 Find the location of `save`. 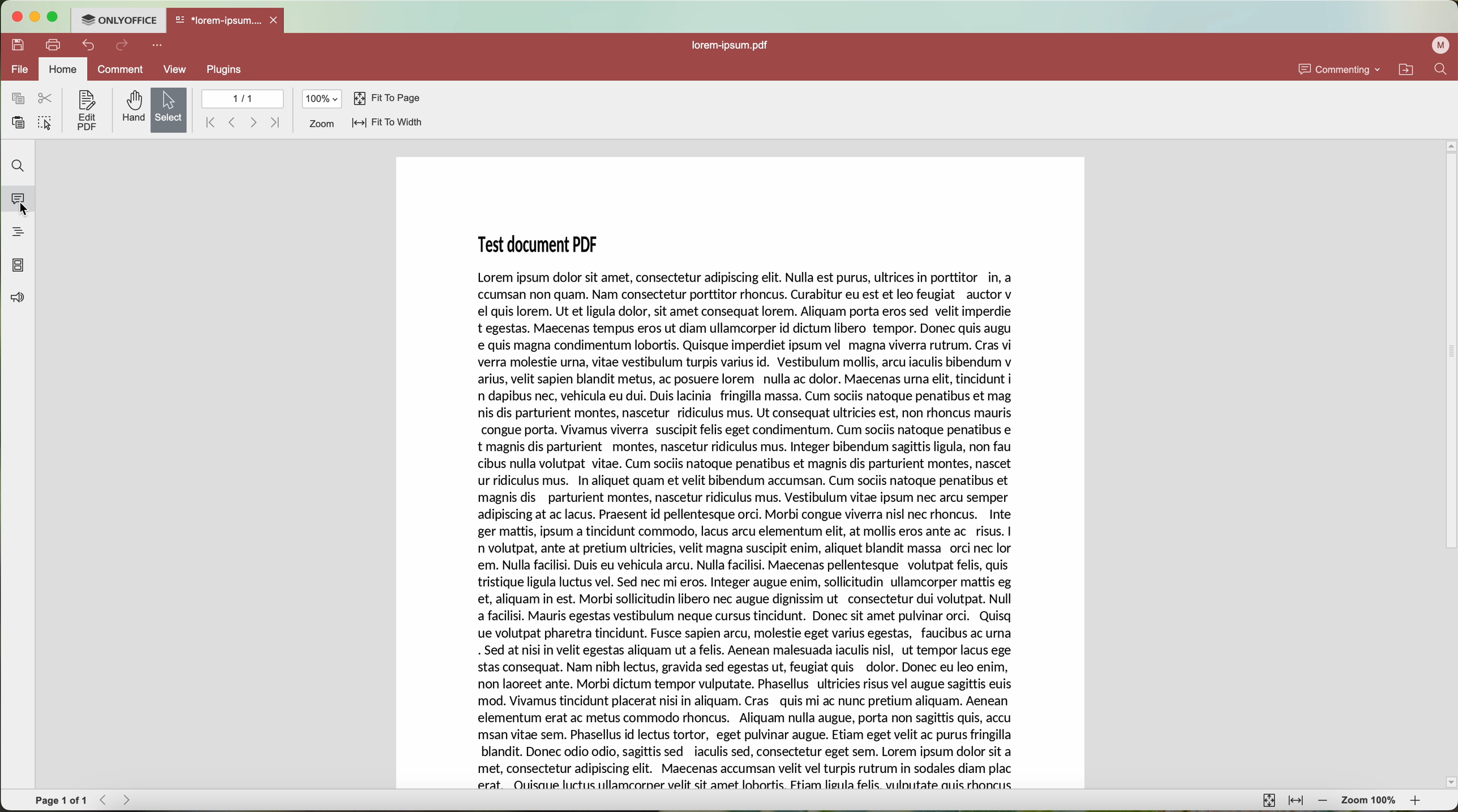

save is located at coordinates (15, 44).